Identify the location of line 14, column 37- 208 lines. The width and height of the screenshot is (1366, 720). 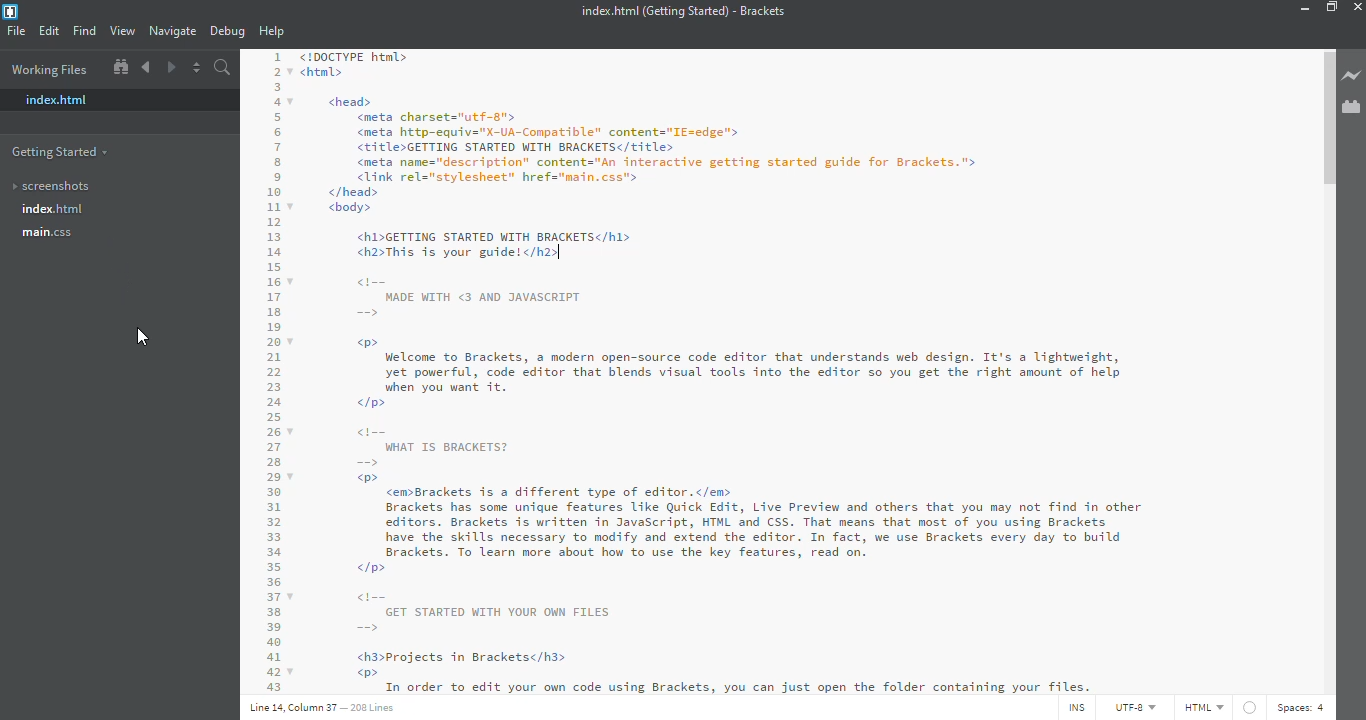
(354, 707).